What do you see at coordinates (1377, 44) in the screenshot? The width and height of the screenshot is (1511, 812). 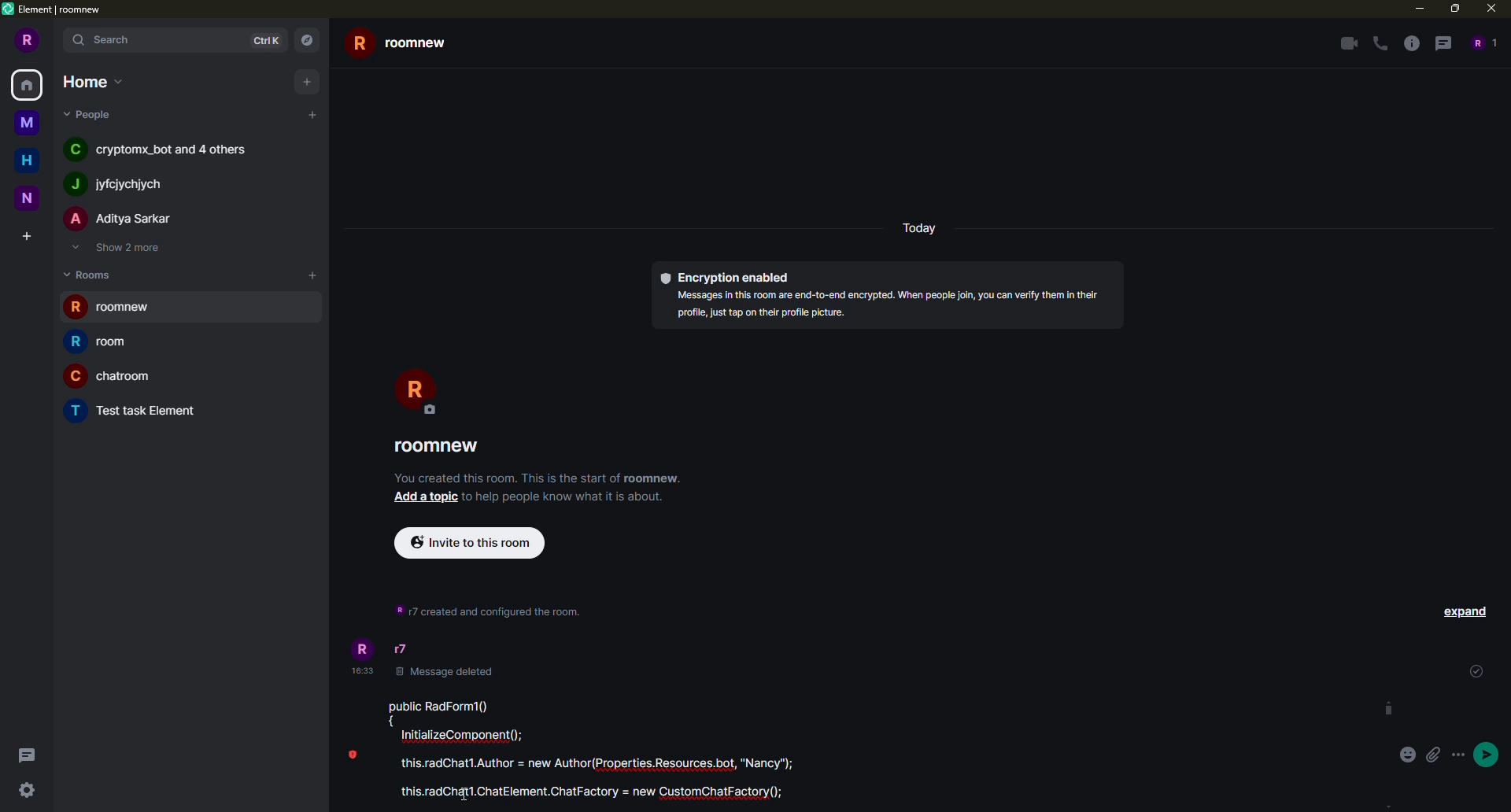 I see `voice call` at bounding box center [1377, 44].